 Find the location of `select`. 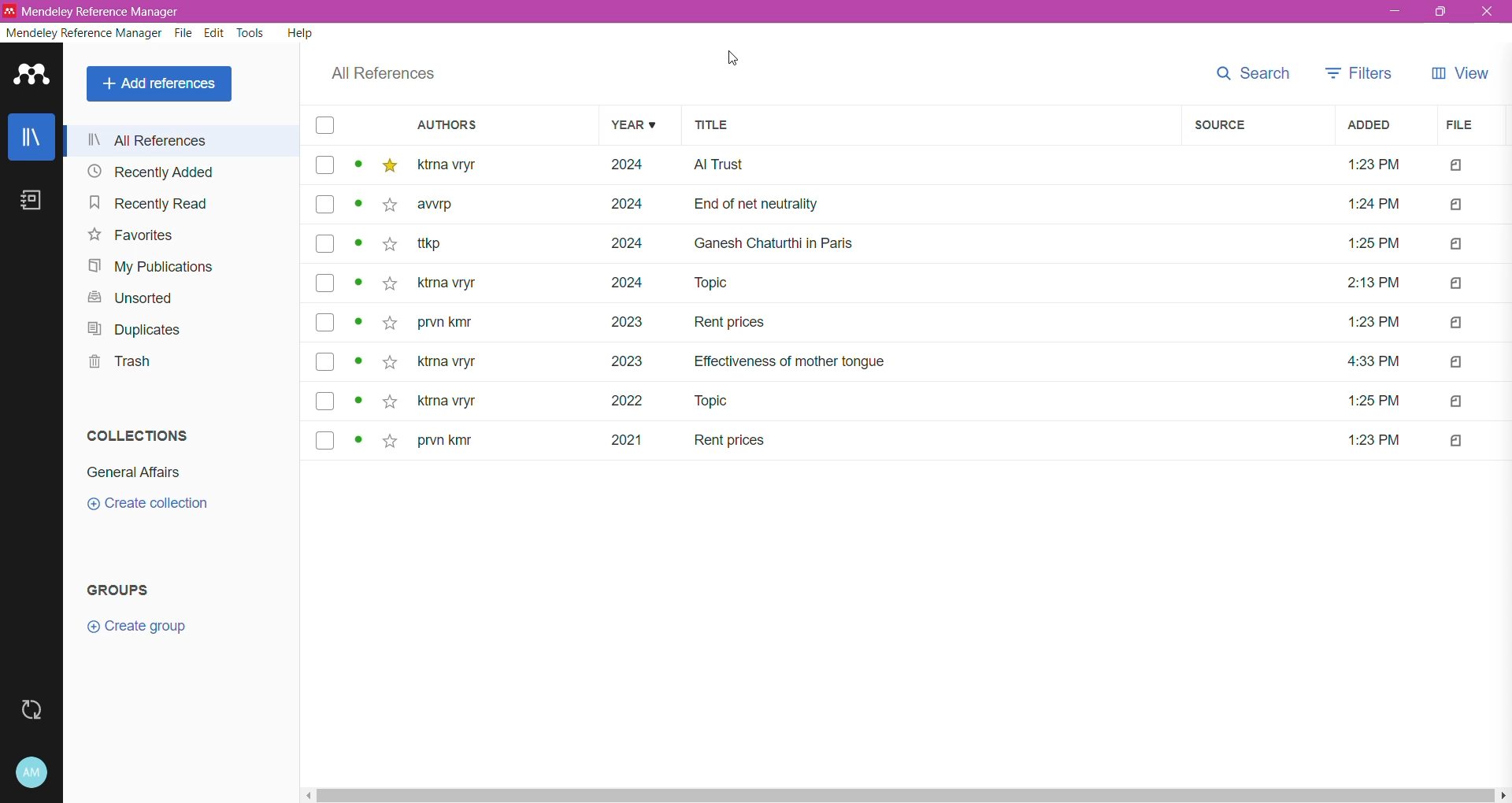

select is located at coordinates (324, 204).